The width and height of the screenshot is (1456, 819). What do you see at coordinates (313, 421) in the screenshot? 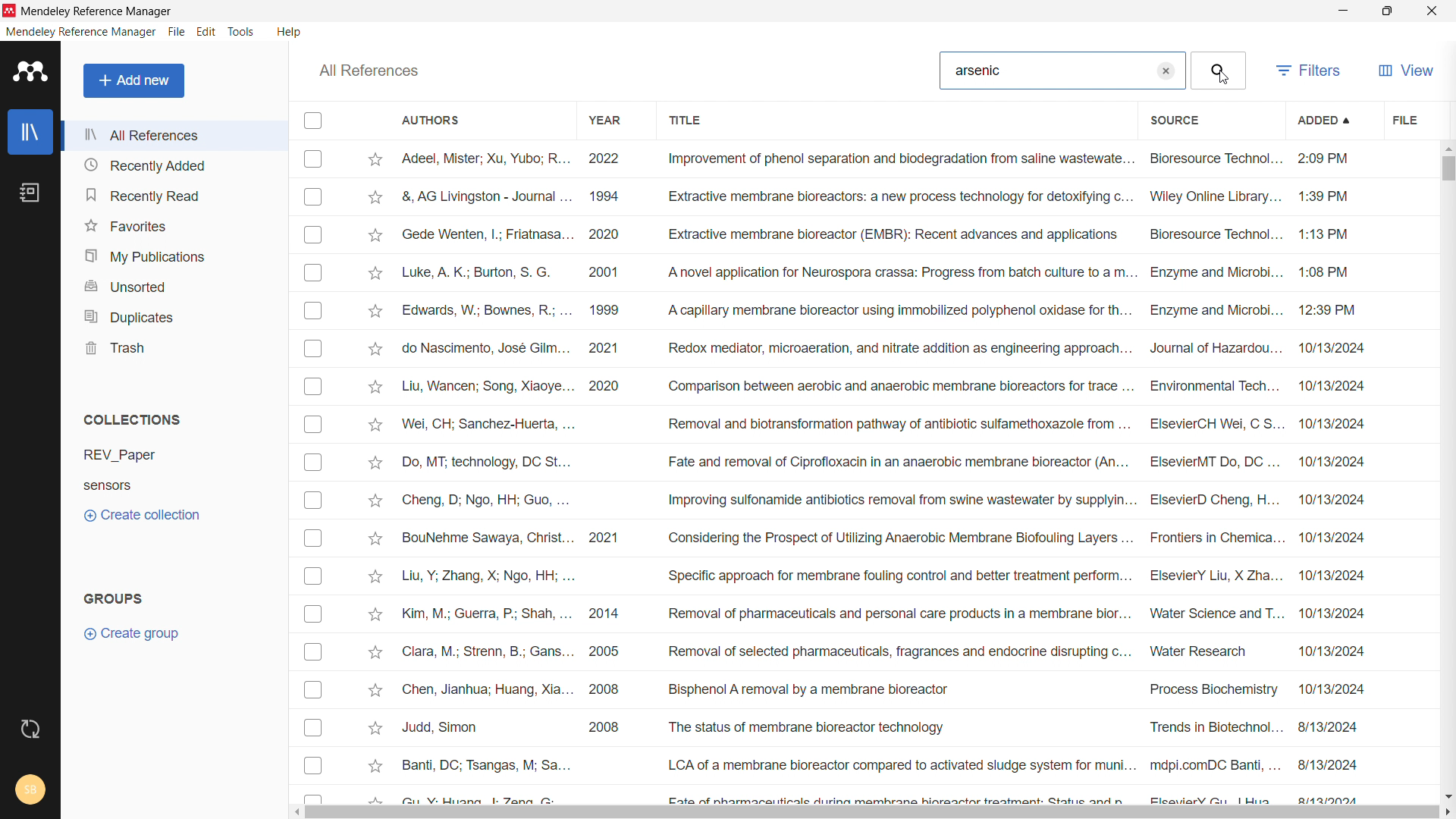
I see `Checkbox` at bounding box center [313, 421].